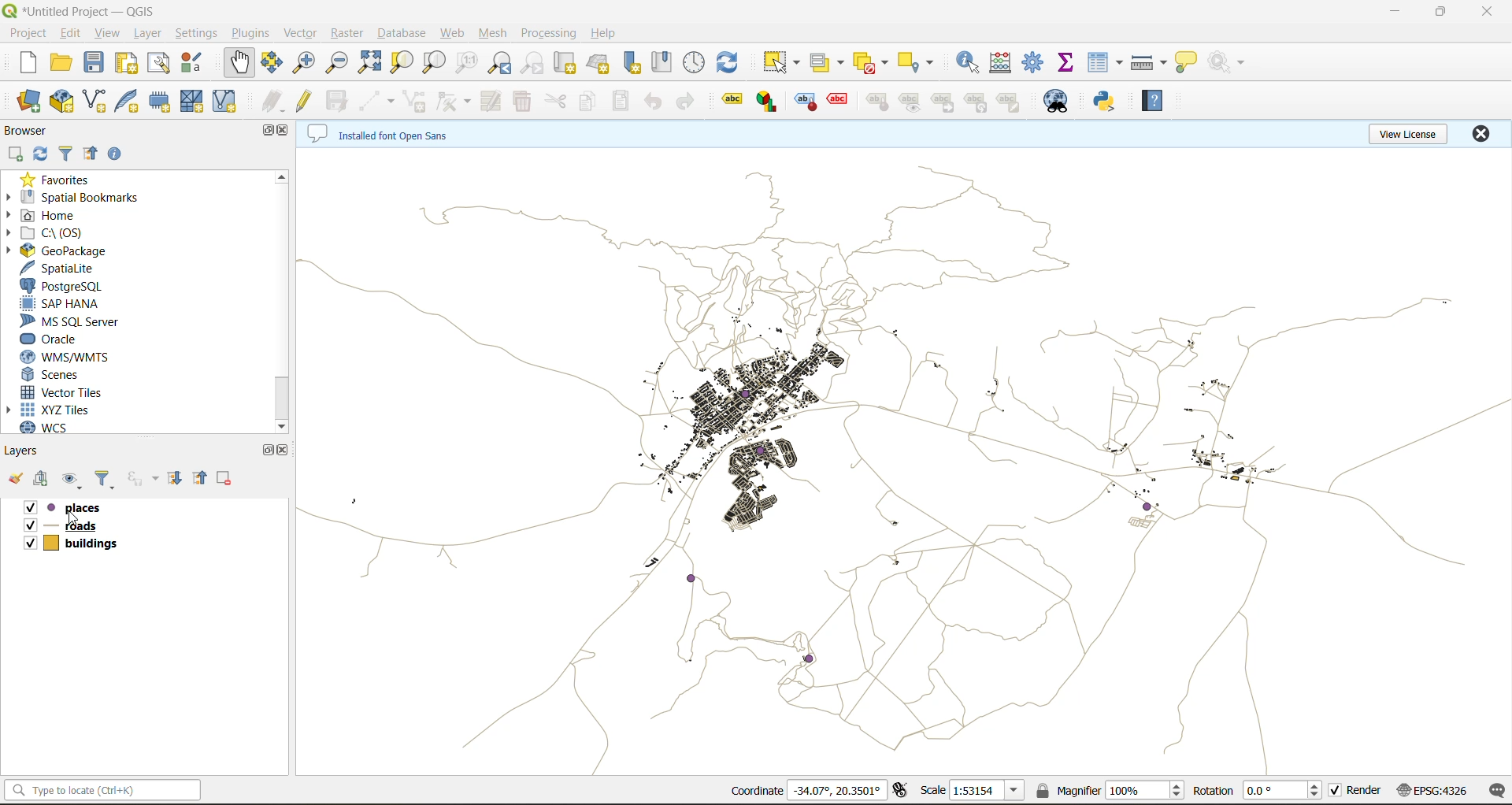 The height and width of the screenshot is (805, 1512). Describe the element at coordinates (61, 177) in the screenshot. I see `favorites` at that location.